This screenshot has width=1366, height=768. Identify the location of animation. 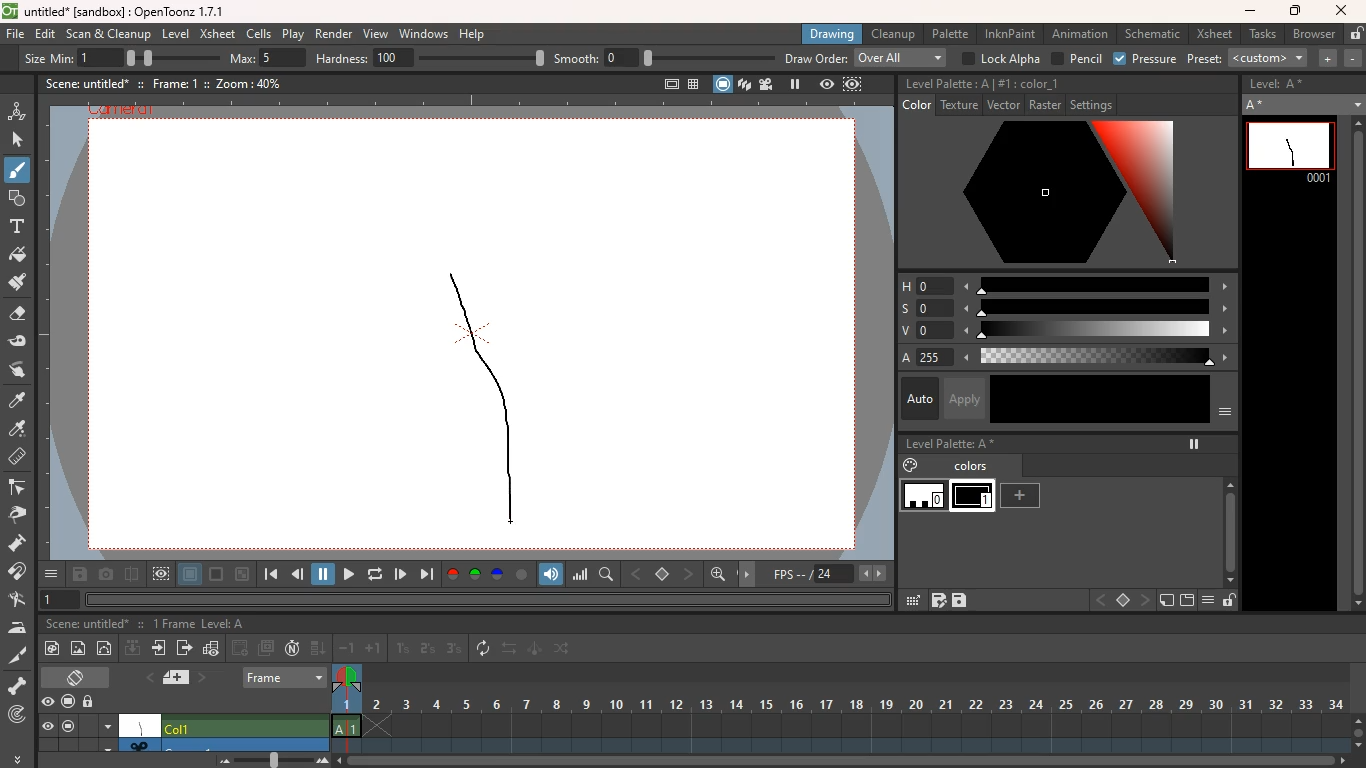
(18, 109).